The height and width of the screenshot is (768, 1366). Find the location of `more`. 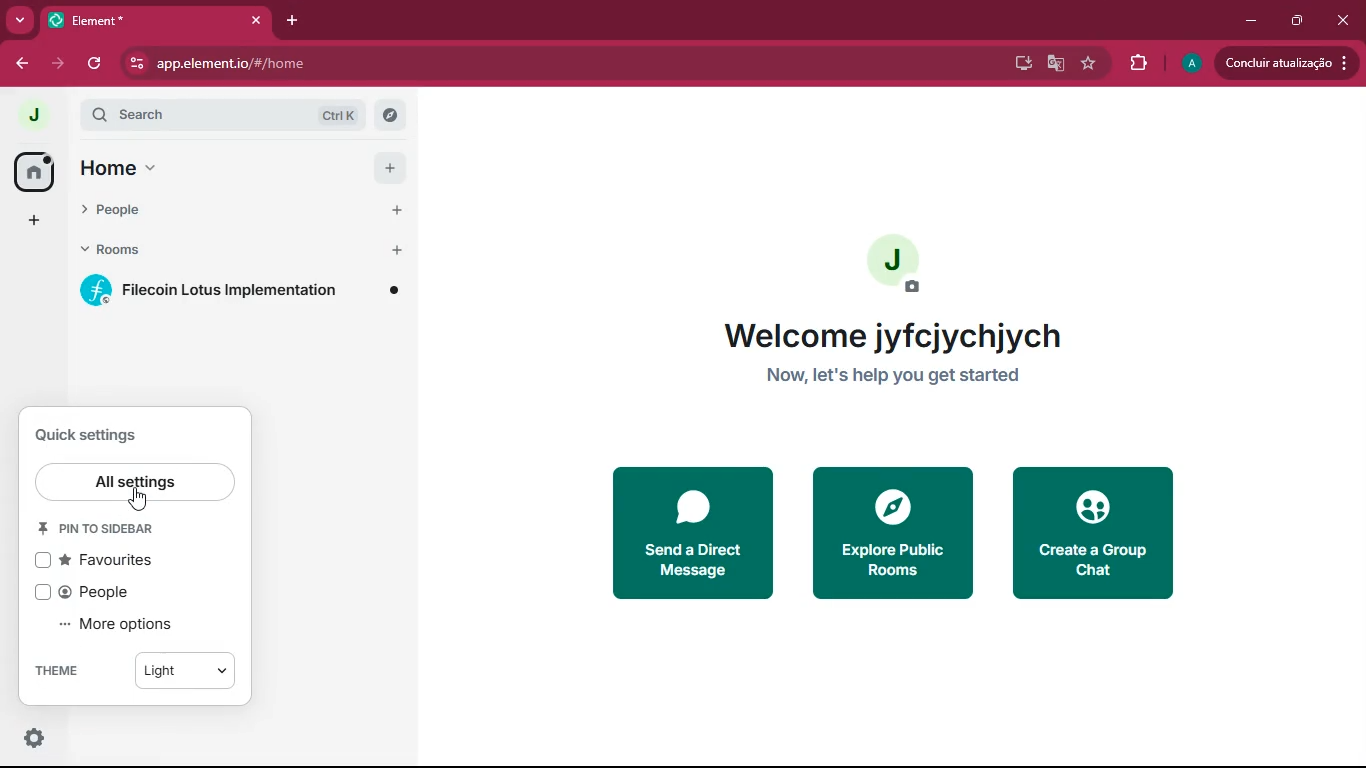

more is located at coordinates (16, 21).